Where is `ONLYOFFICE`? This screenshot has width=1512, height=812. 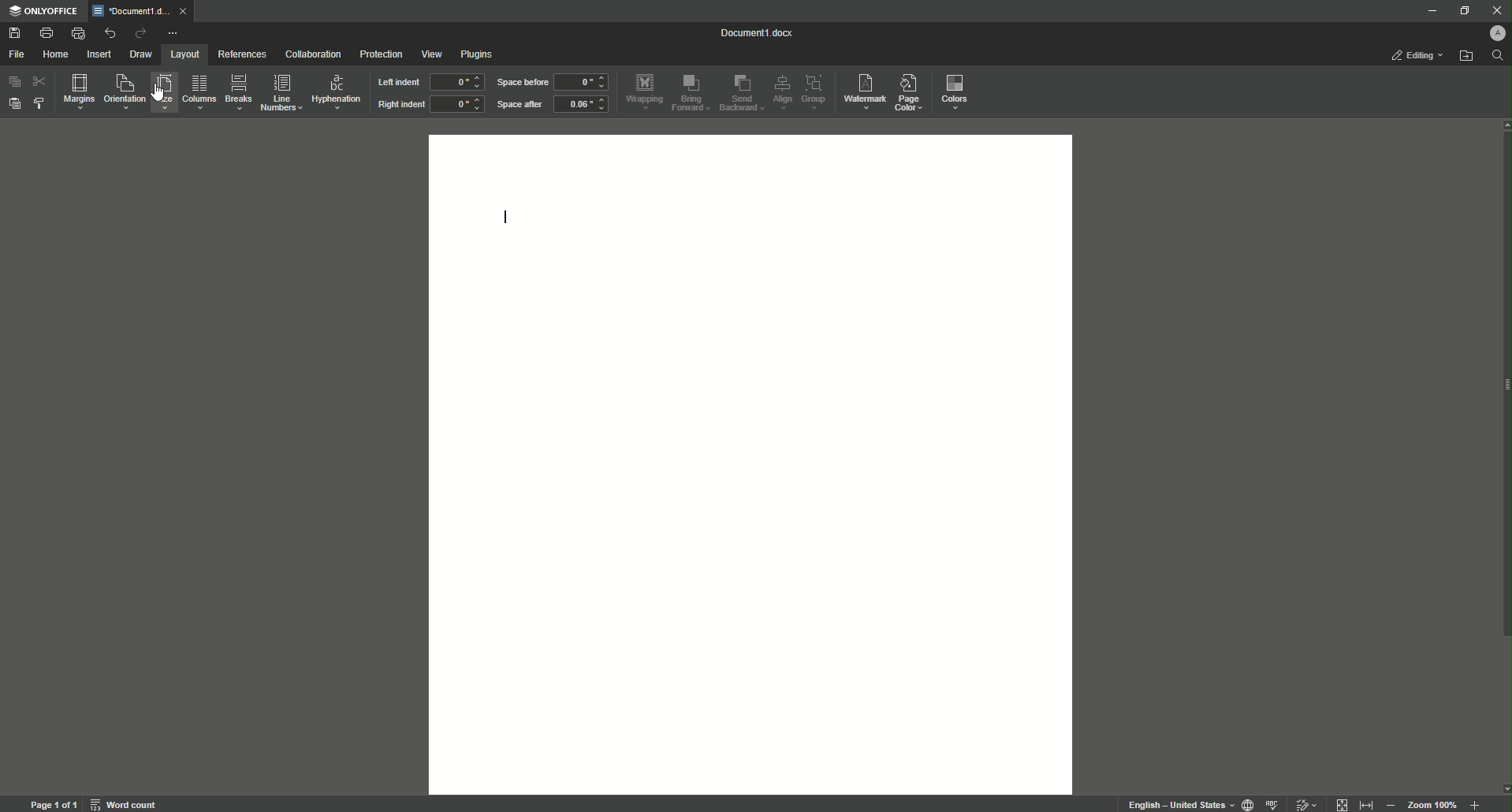 ONLYOFFICE is located at coordinates (45, 10).